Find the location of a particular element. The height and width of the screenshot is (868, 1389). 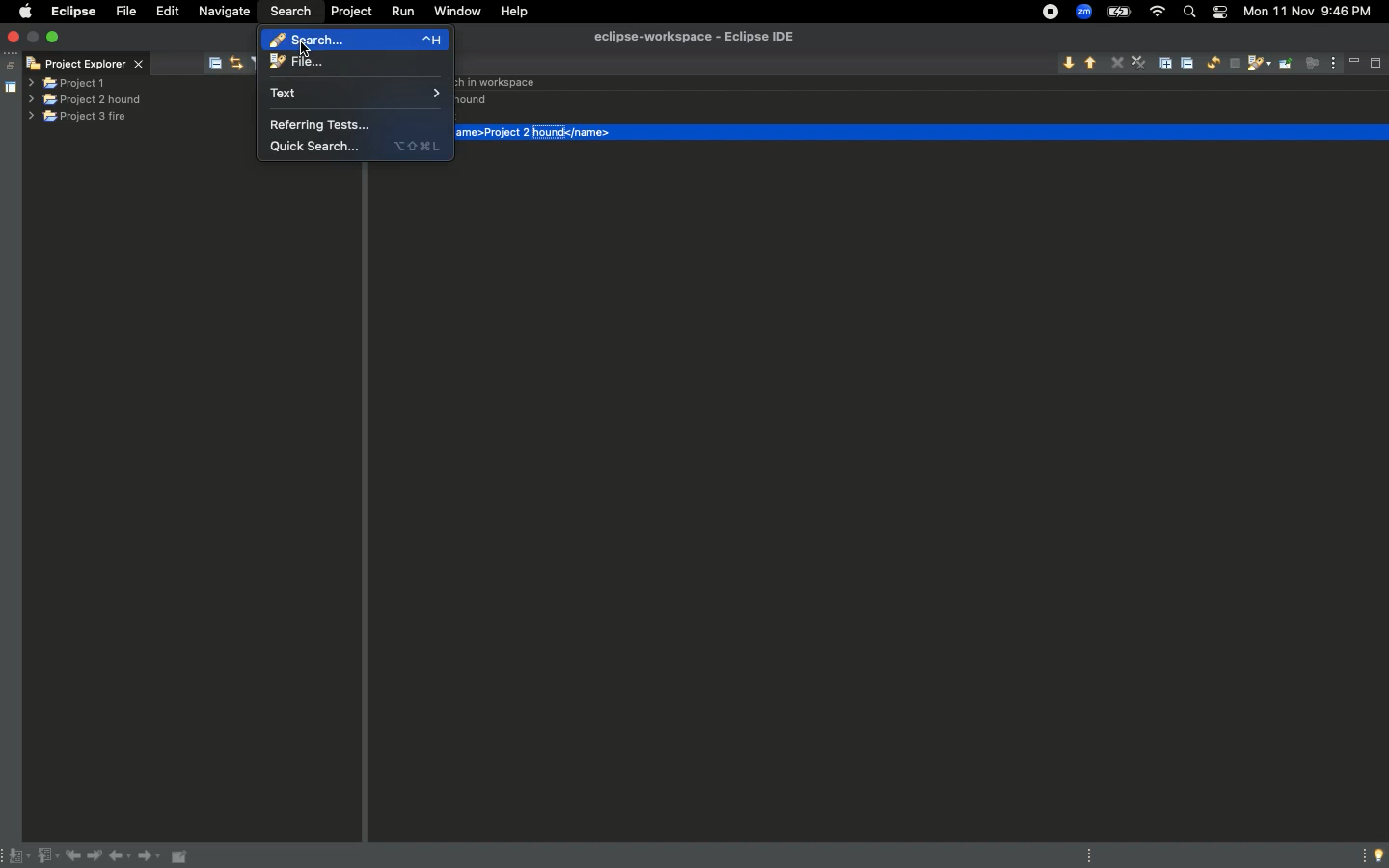

hound is located at coordinates (473, 101).